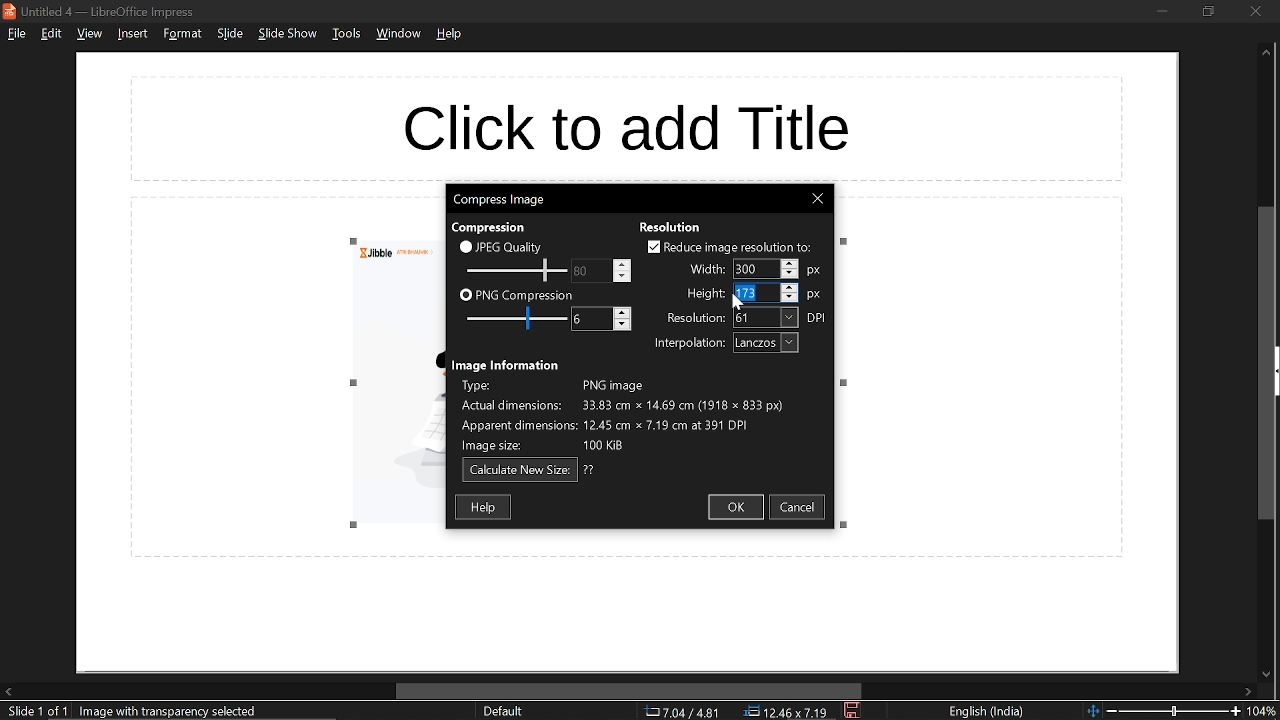  What do you see at coordinates (766, 318) in the screenshot?
I see `resolution` at bounding box center [766, 318].